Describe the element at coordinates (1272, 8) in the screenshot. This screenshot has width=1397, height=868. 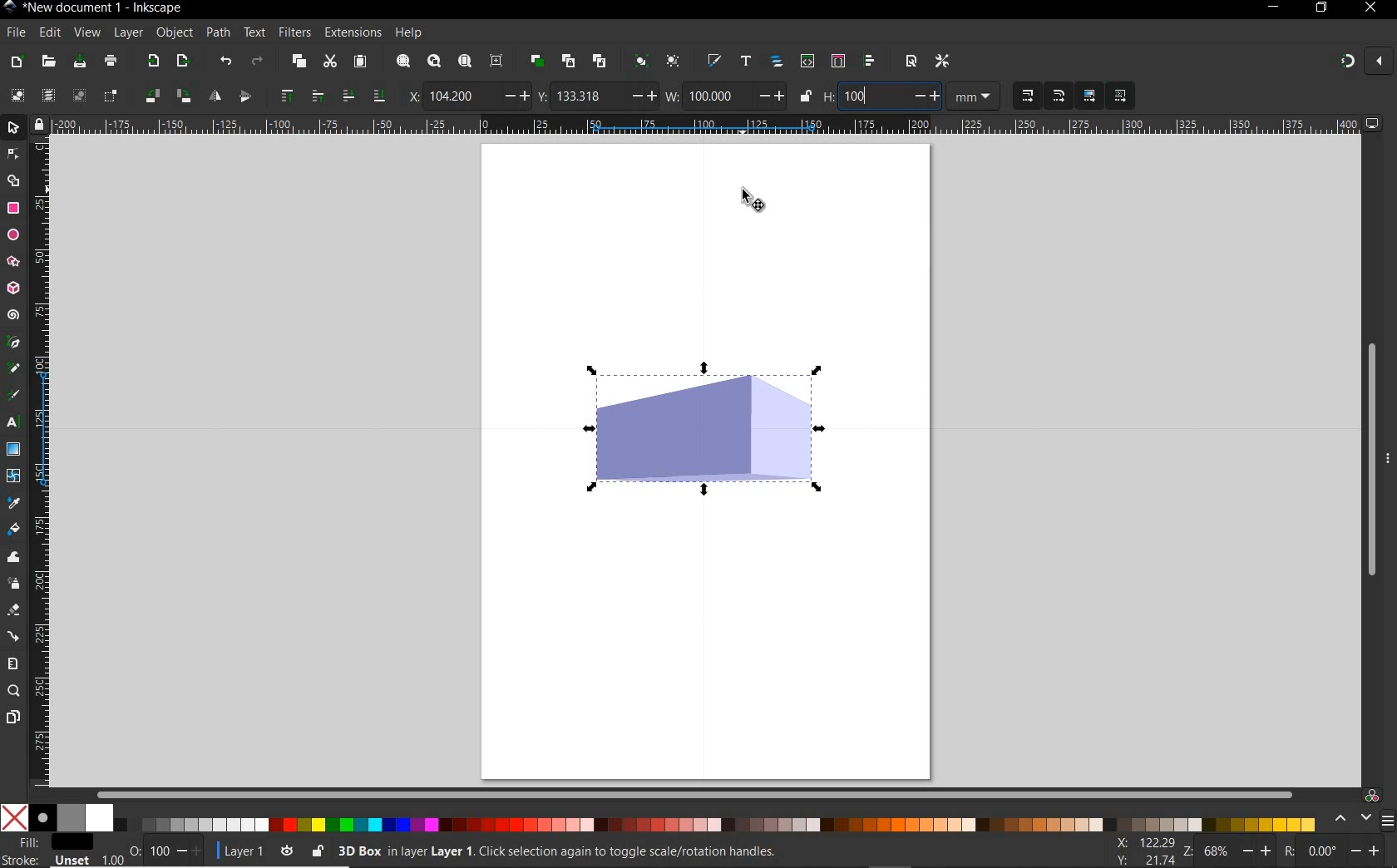
I see `minimize` at that location.